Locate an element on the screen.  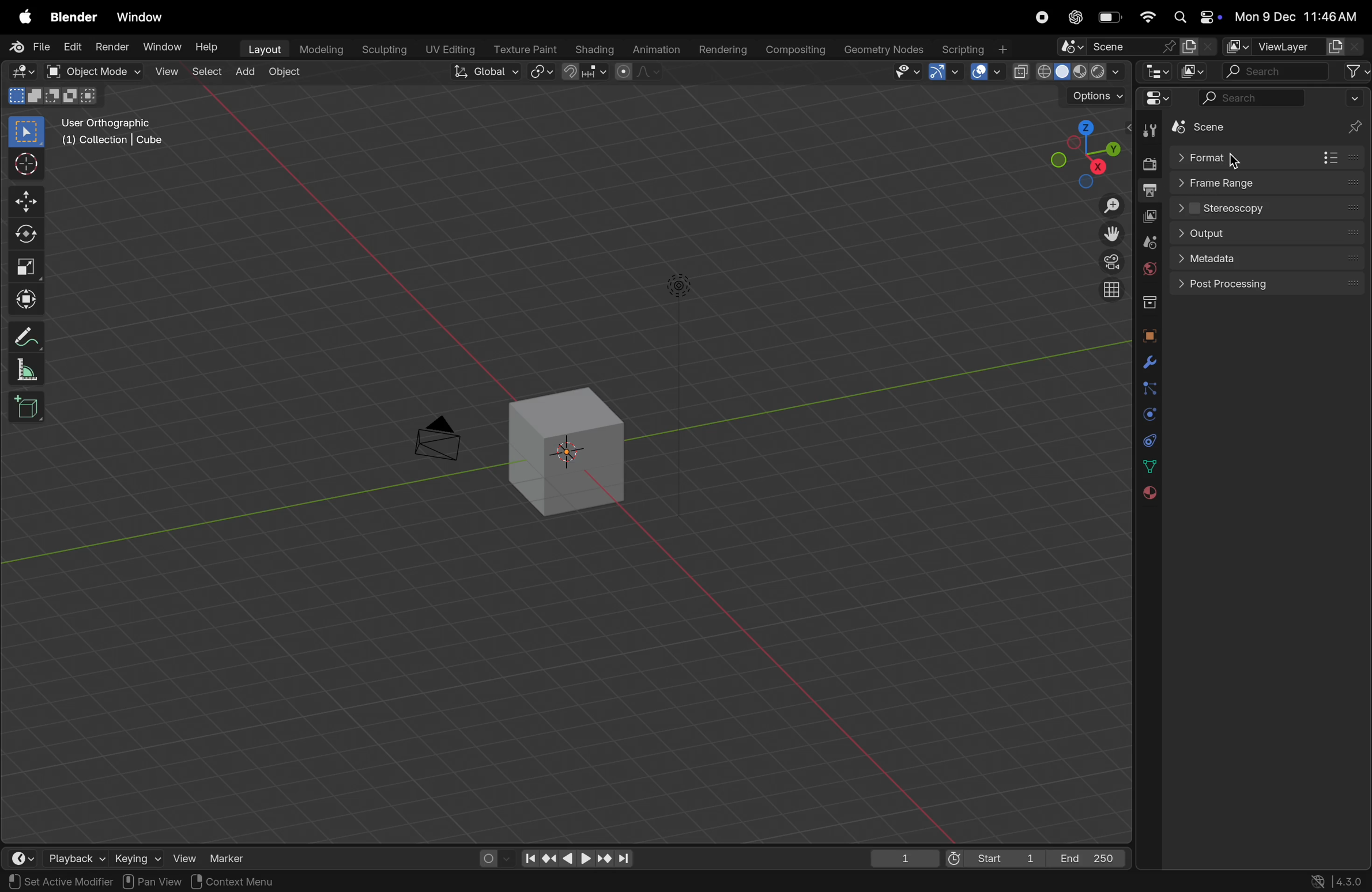
time frame is located at coordinates (24, 857).